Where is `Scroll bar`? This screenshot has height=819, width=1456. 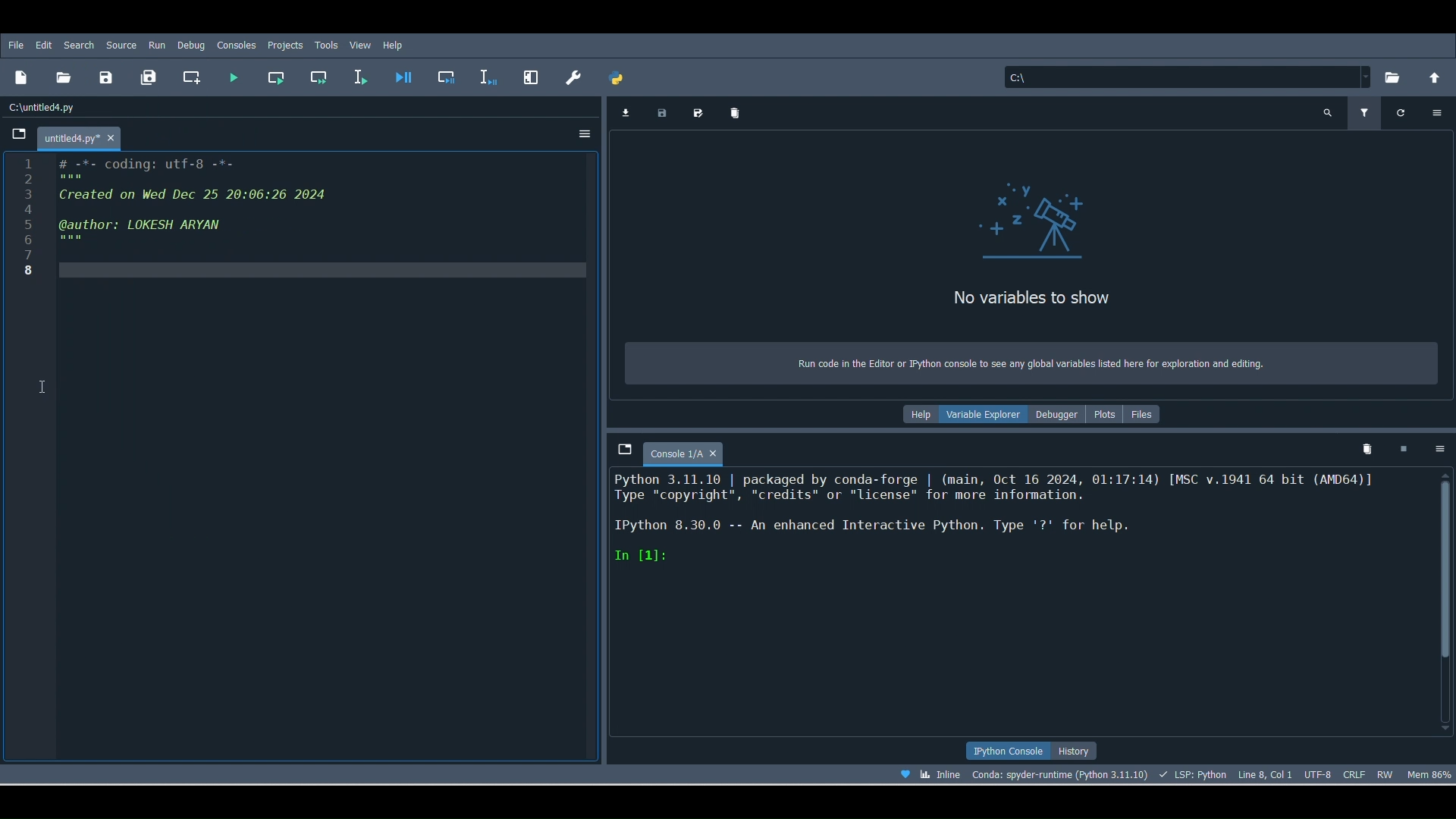
Scroll bar is located at coordinates (1445, 600).